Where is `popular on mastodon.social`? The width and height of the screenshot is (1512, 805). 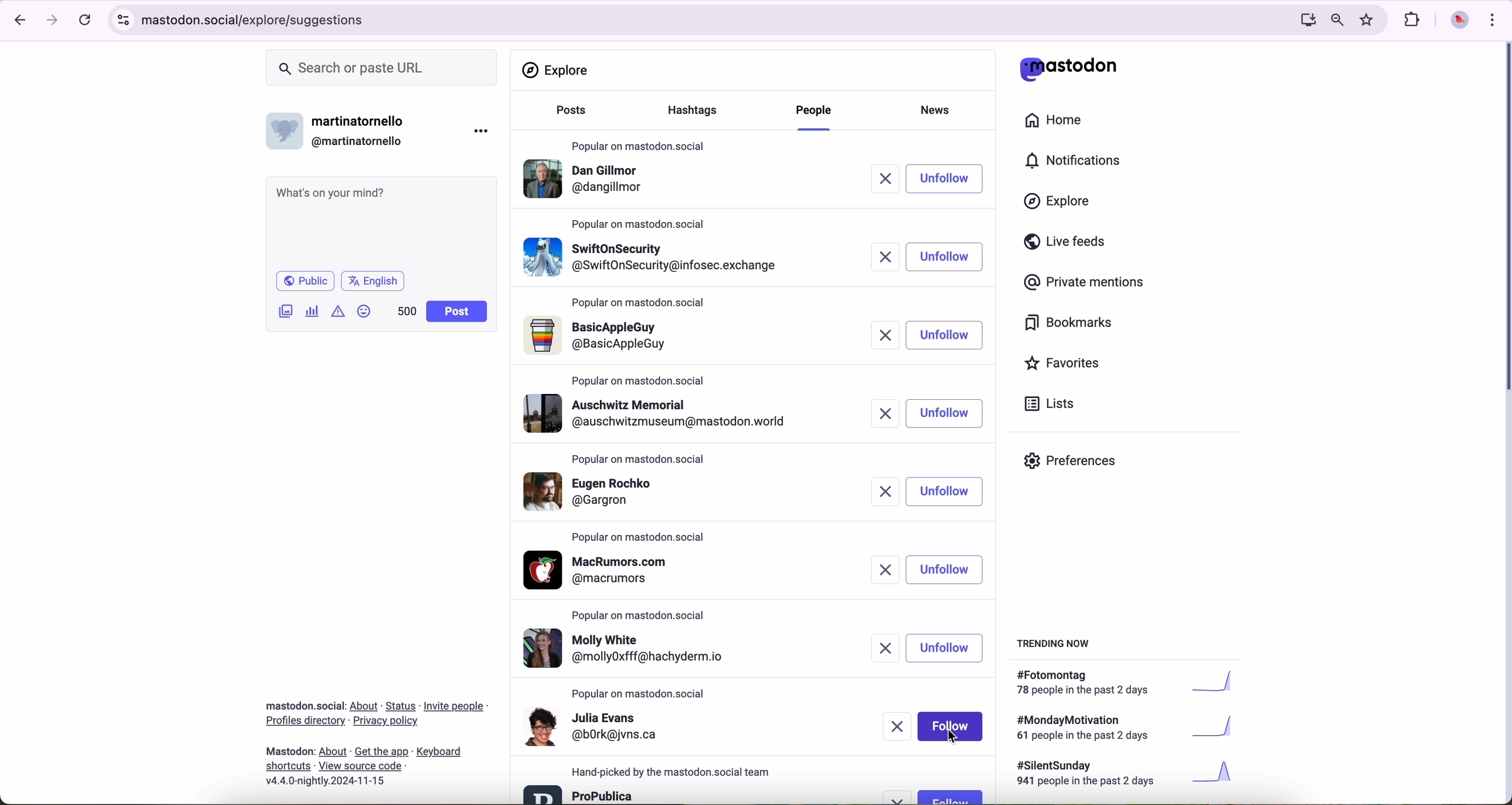
popular on mastodon.social is located at coordinates (642, 223).